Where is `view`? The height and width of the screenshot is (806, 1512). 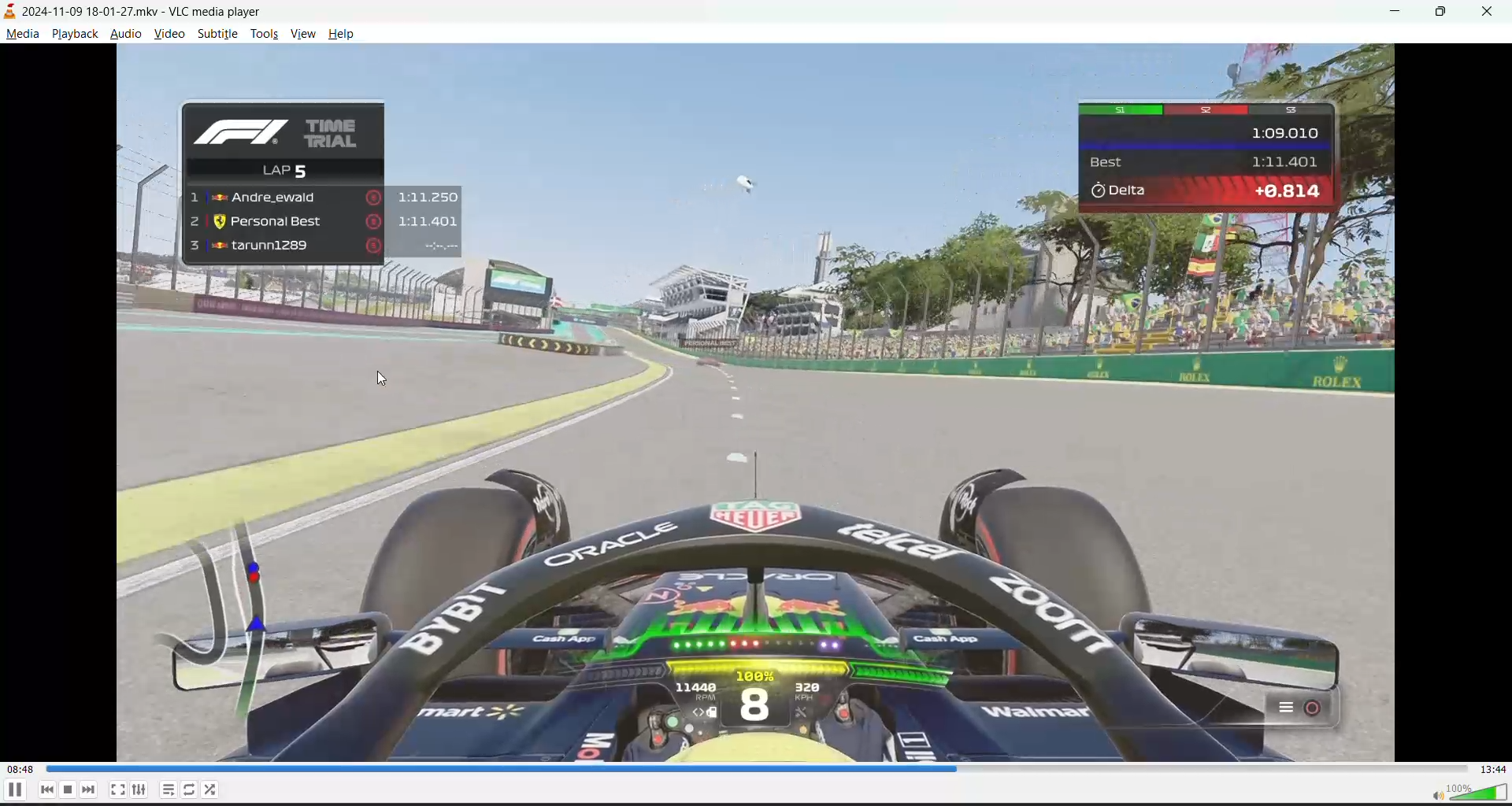
view is located at coordinates (302, 33).